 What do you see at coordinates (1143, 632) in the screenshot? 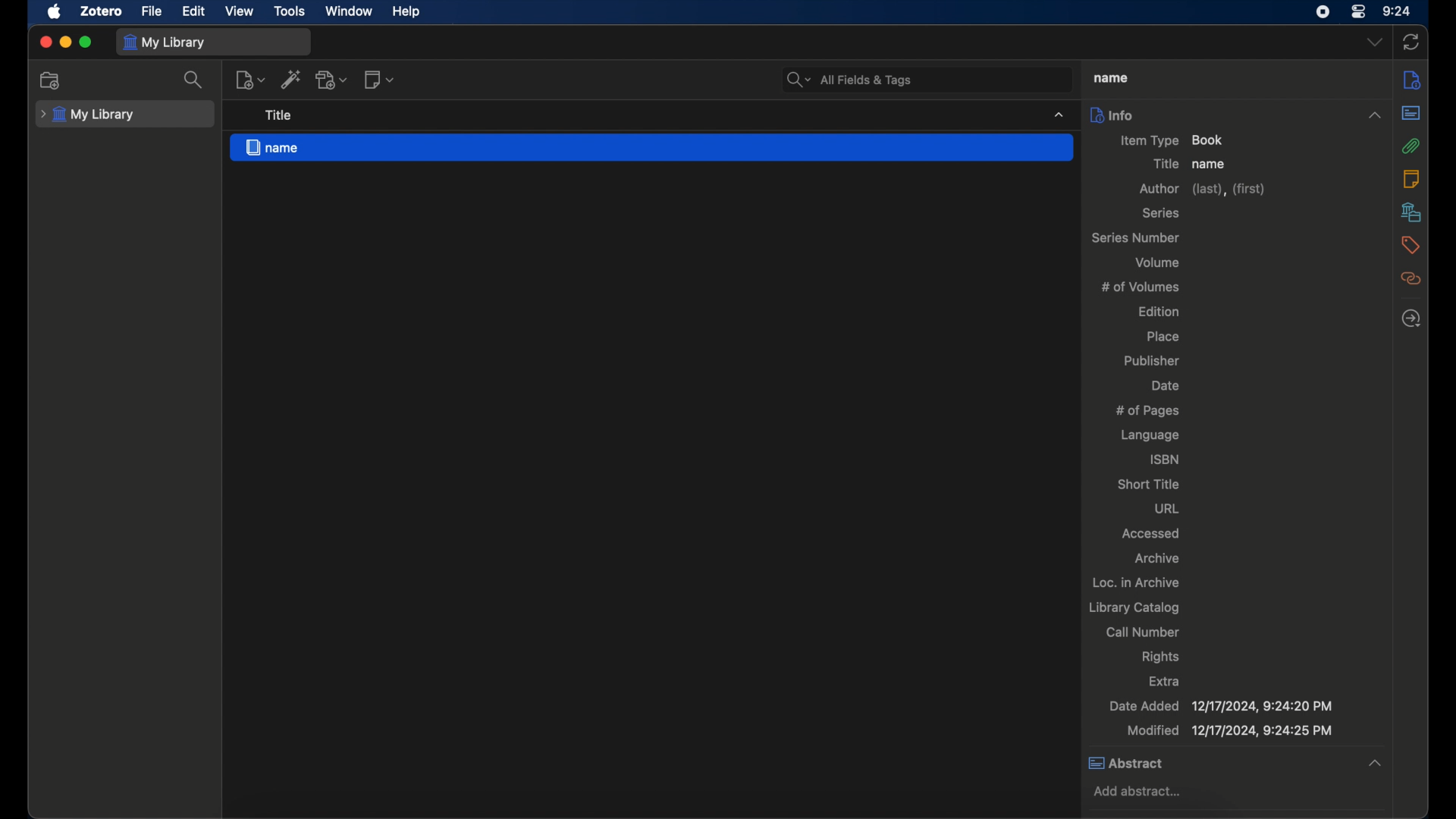
I see `call number` at bounding box center [1143, 632].